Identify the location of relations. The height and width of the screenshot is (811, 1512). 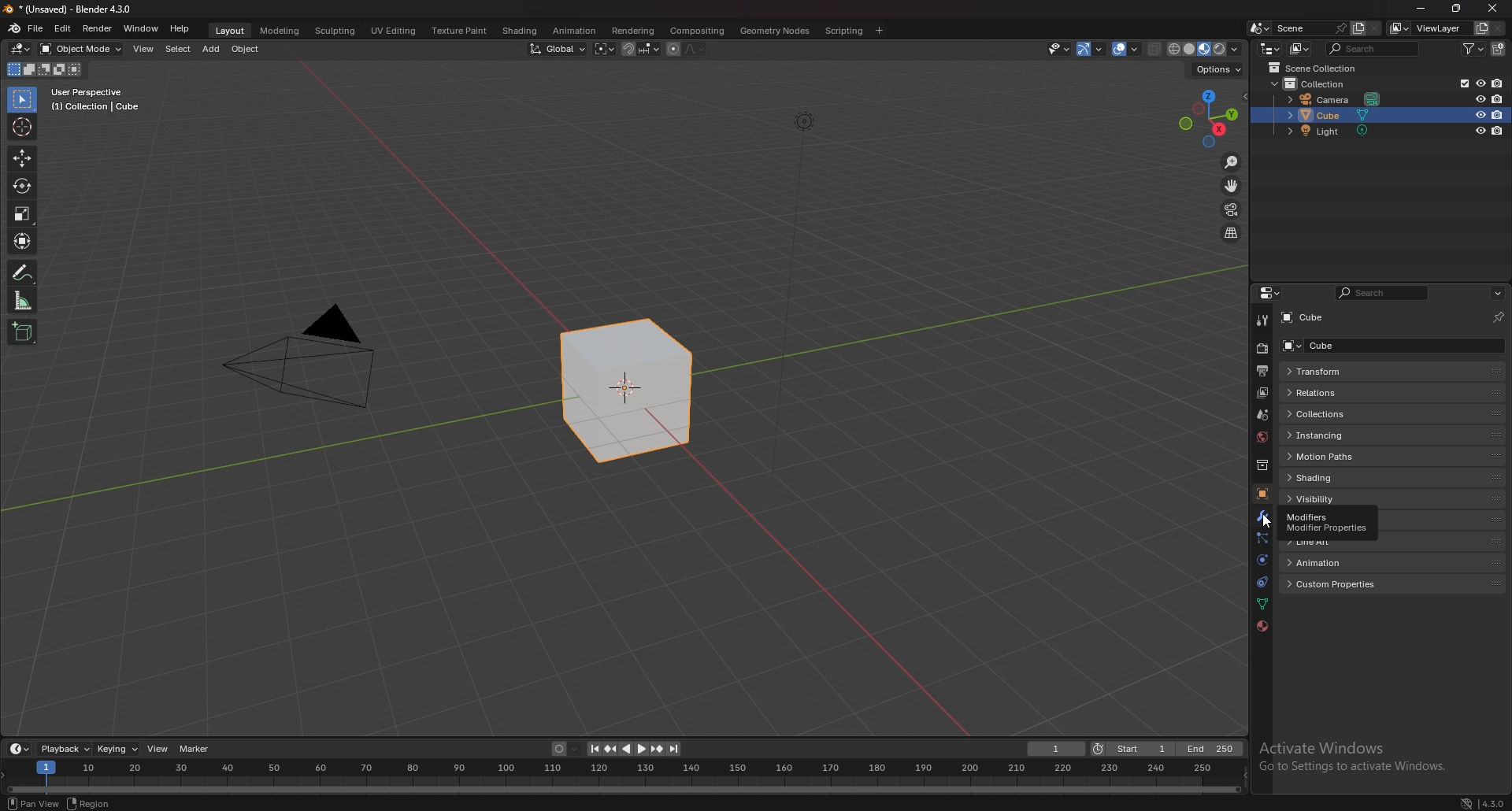
(1337, 393).